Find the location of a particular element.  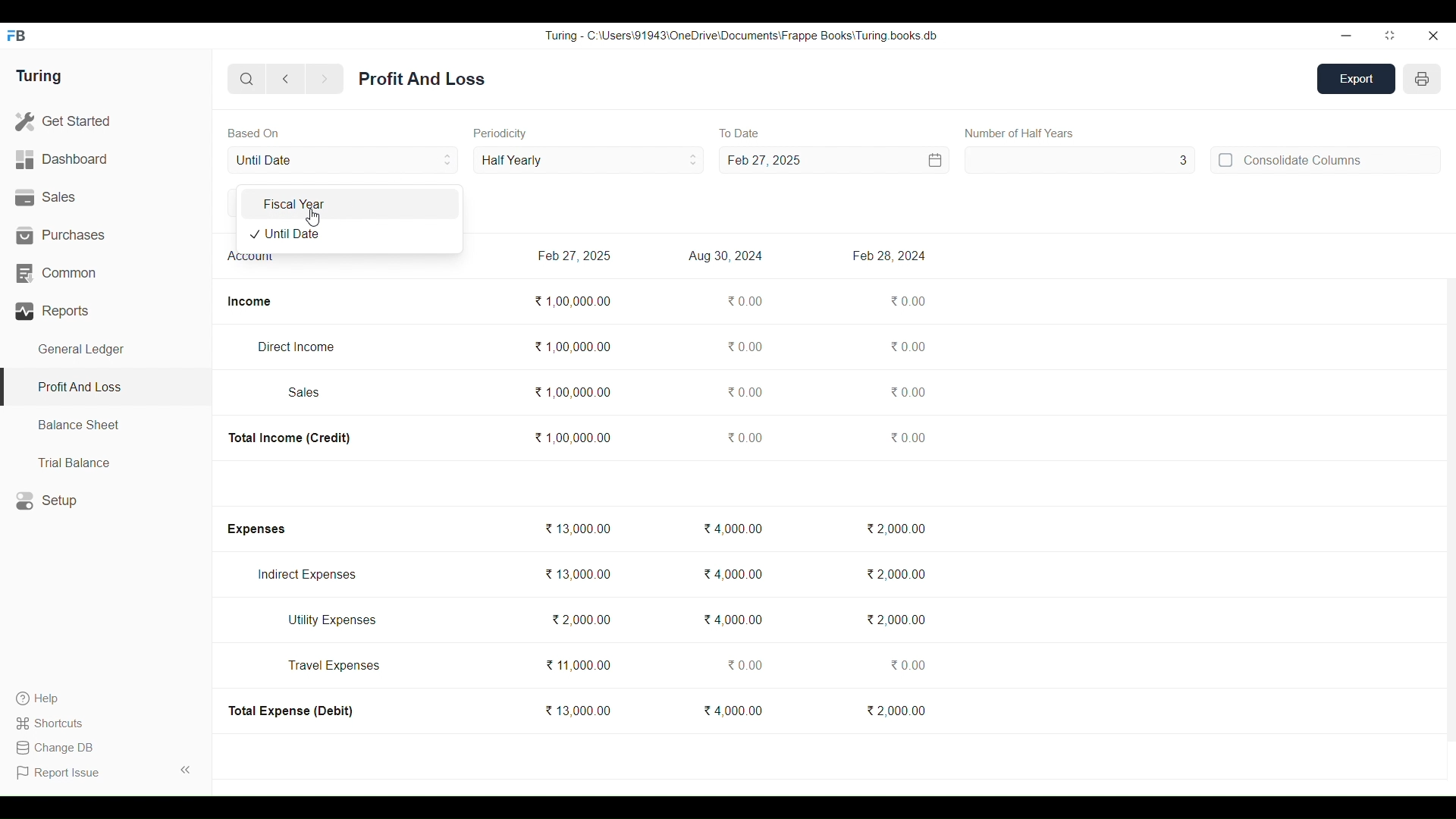

Help is located at coordinates (52, 698).